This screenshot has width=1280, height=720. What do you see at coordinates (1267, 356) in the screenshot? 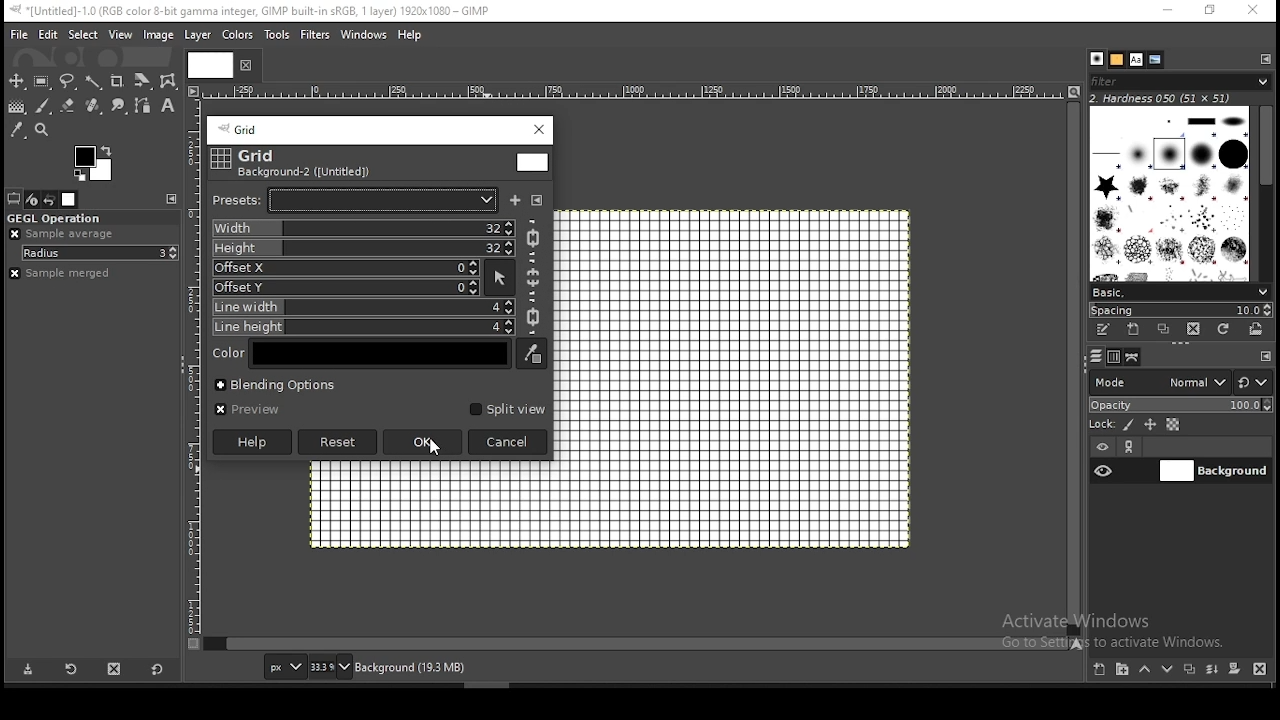
I see `cinfigure this tab` at bounding box center [1267, 356].